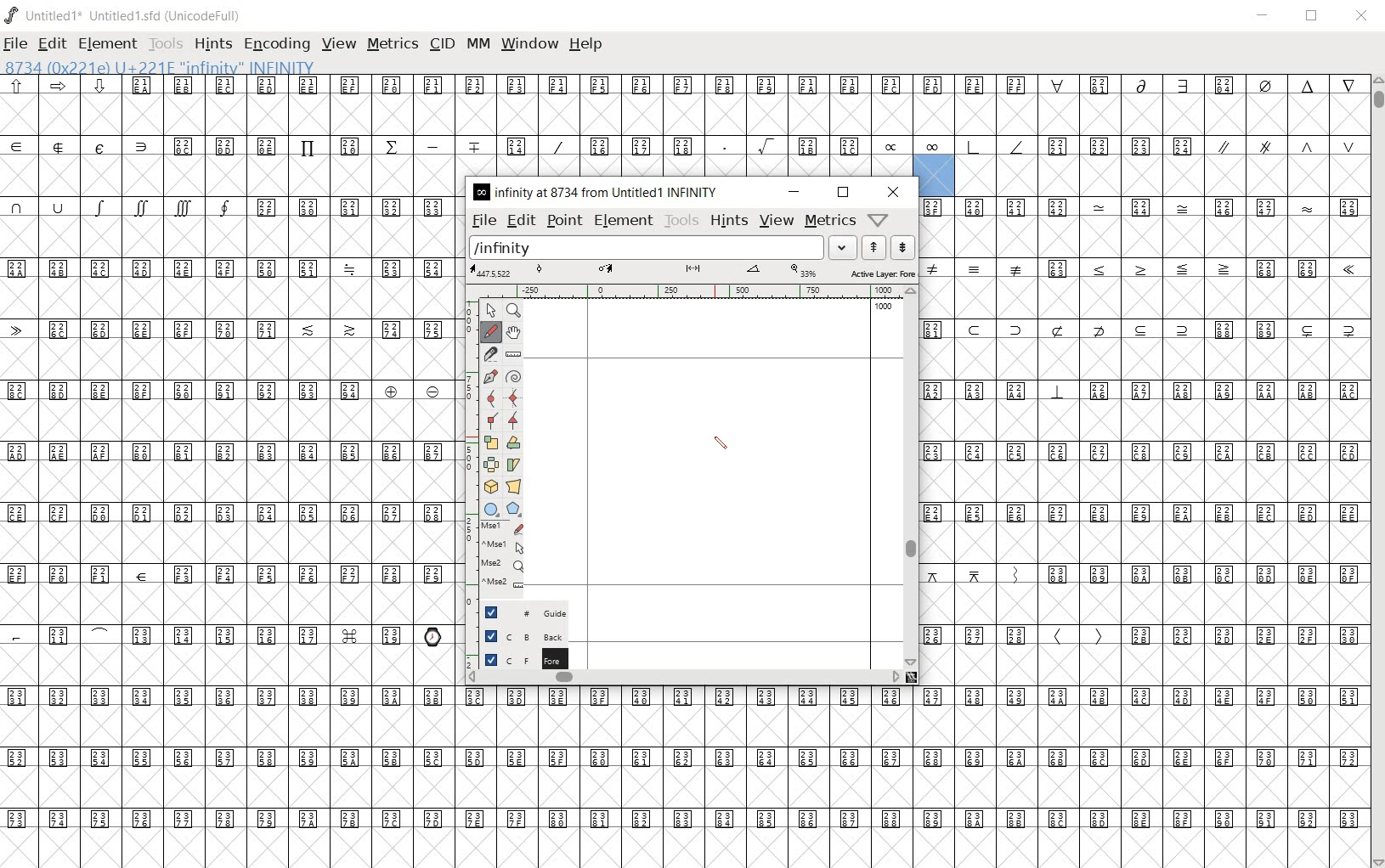 The height and width of the screenshot is (868, 1385). What do you see at coordinates (489, 486) in the screenshot?
I see `rotate the selection in 3D and project back to plane` at bounding box center [489, 486].